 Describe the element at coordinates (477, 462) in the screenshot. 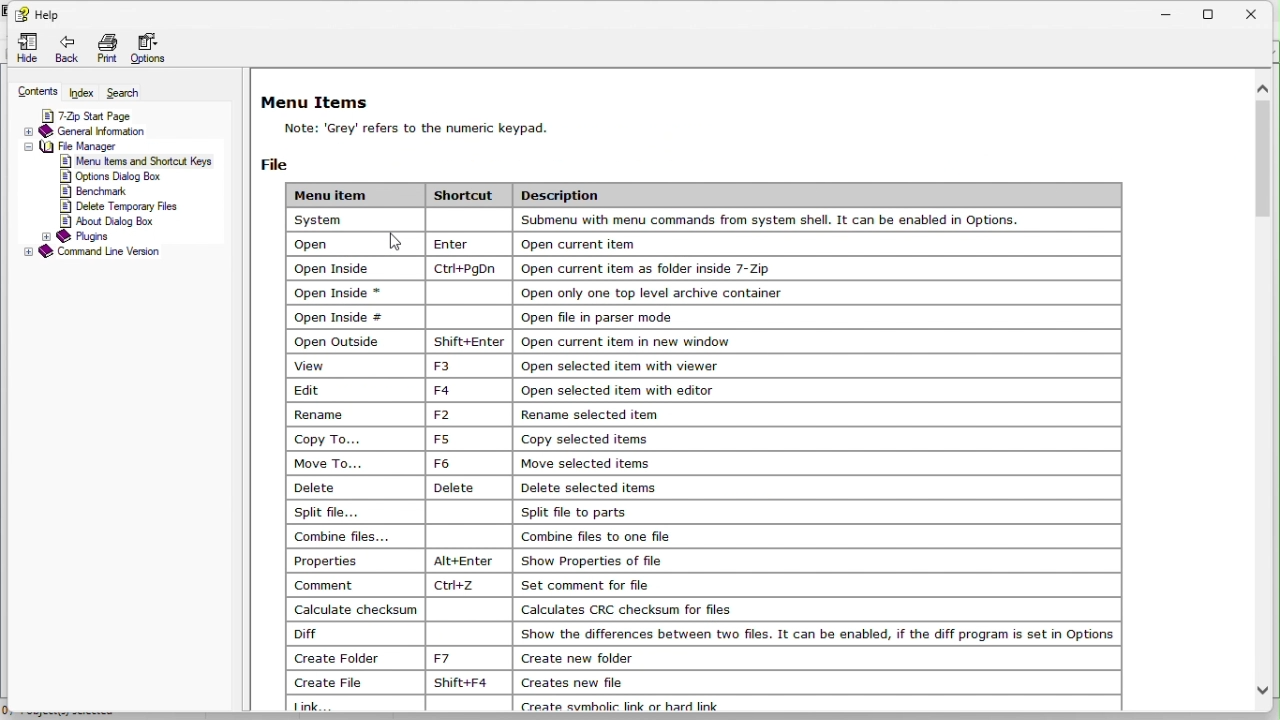

I see `| Move To... | Fe | Move selected items` at that location.